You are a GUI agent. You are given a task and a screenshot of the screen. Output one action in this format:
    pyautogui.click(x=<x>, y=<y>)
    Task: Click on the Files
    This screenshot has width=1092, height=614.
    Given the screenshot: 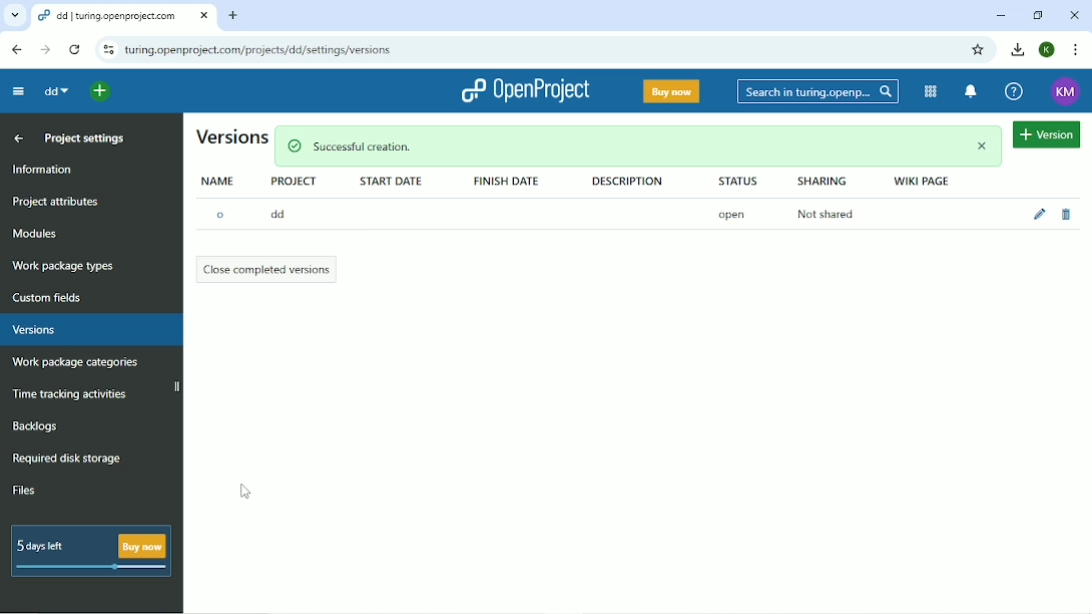 What is the action you would take?
    pyautogui.click(x=24, y=489)
    